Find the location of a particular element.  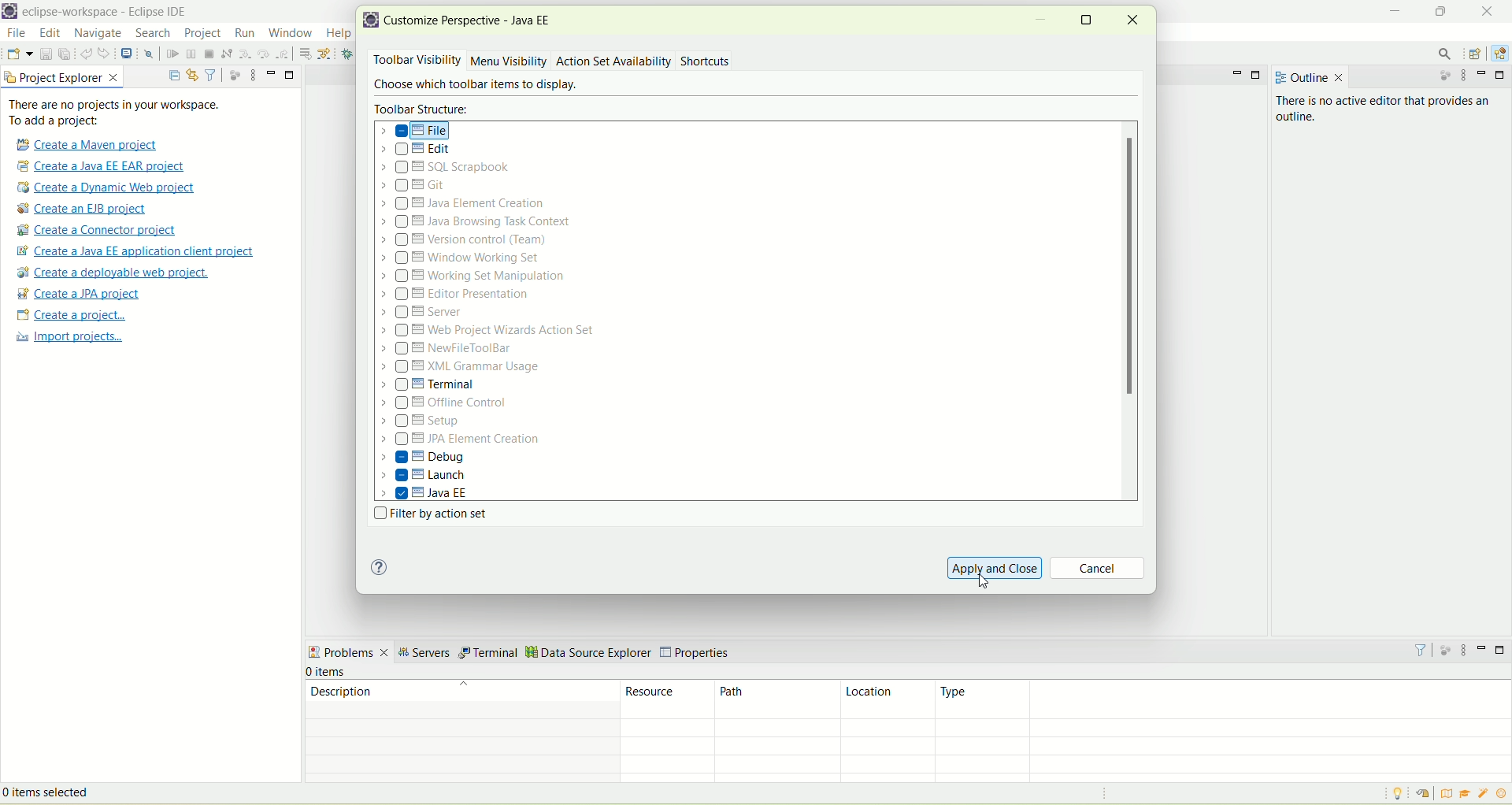

help is located at coordinates (339, 32).